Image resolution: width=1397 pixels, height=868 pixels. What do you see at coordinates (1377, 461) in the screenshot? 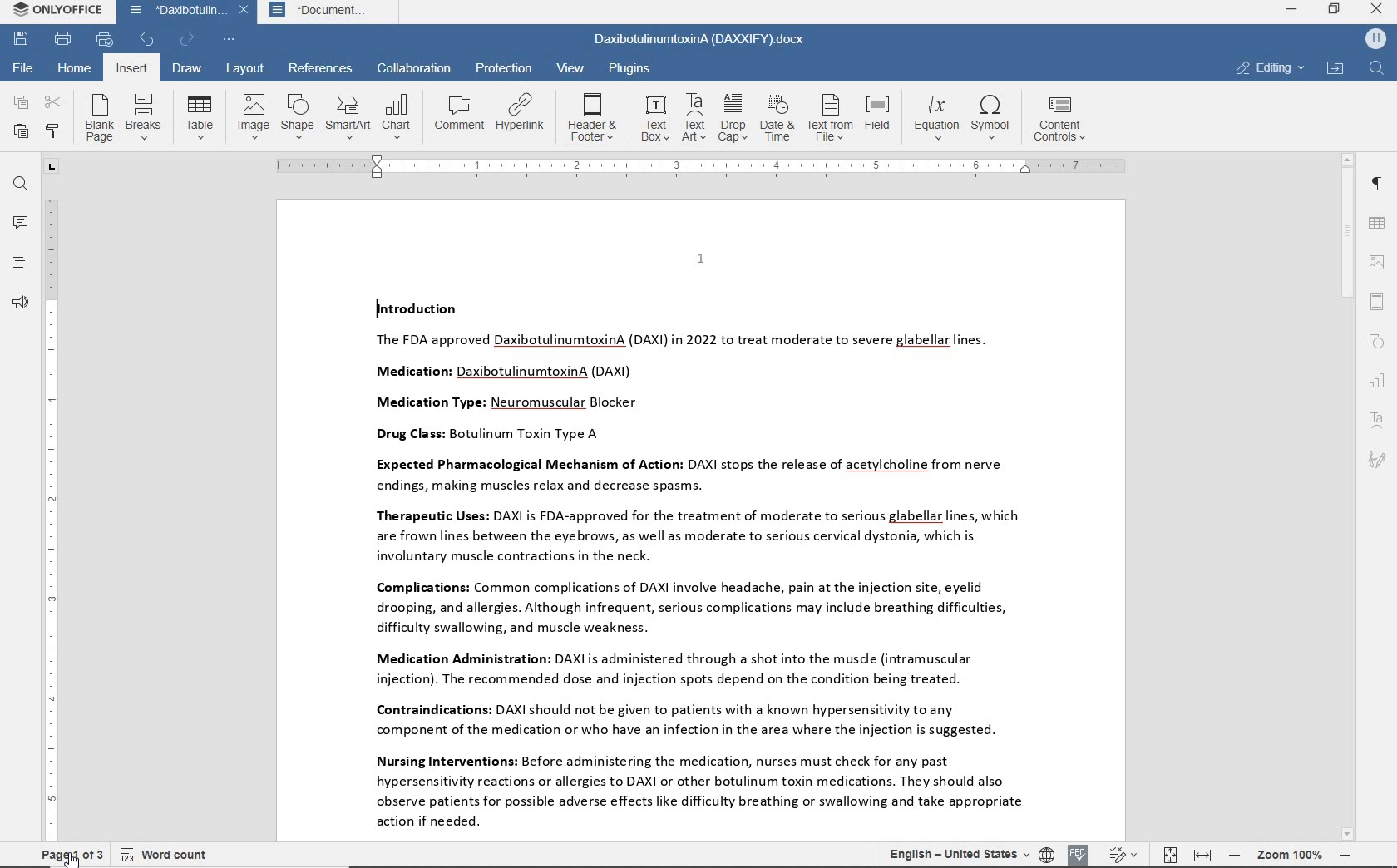
I see `signature` at bounding box center [1377, 461].